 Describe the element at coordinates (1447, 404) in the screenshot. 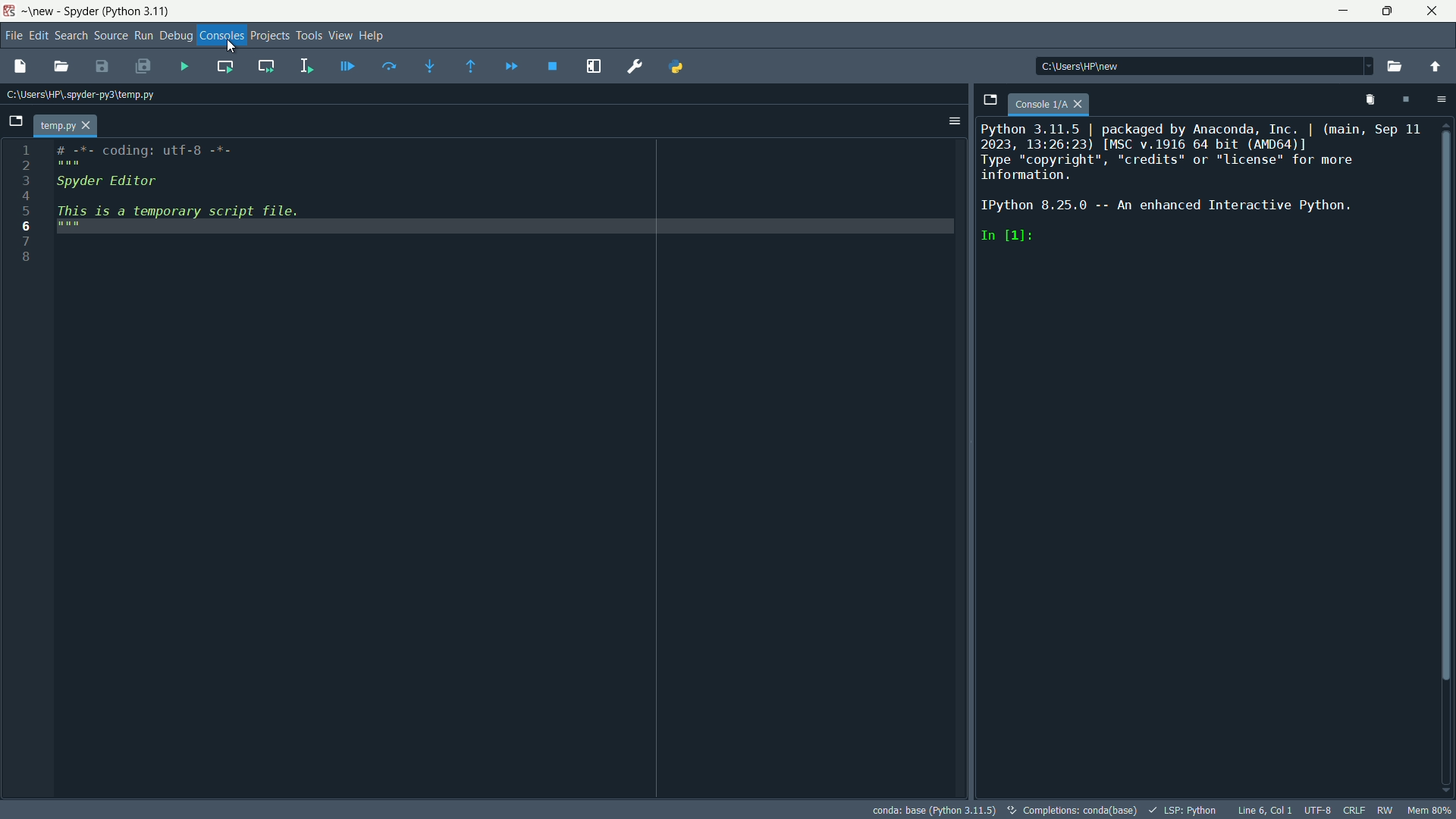

I see `Vertical Scroll Bar` at that location.